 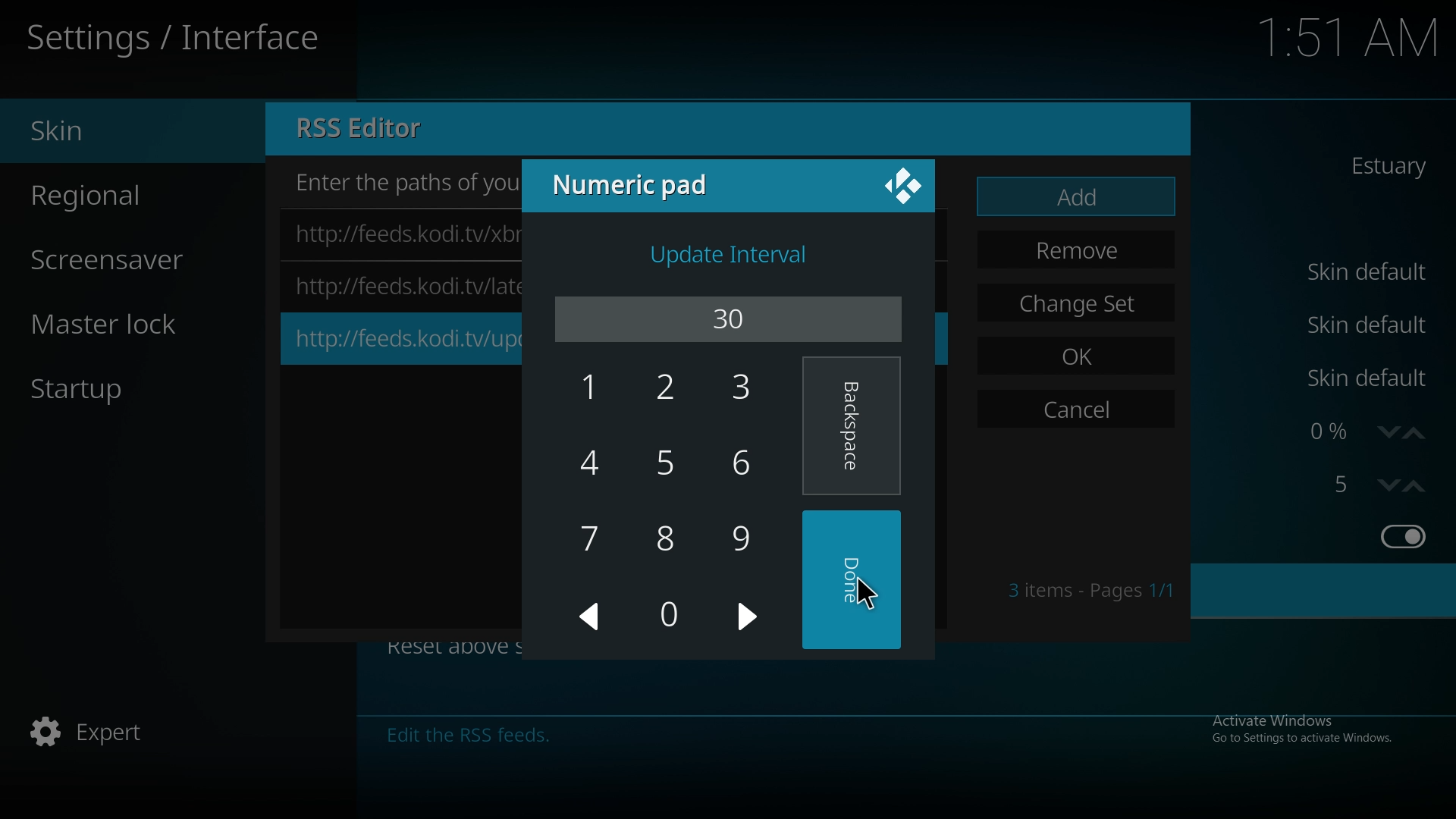 I want to click on cancel, so click(x=1075, y=412).